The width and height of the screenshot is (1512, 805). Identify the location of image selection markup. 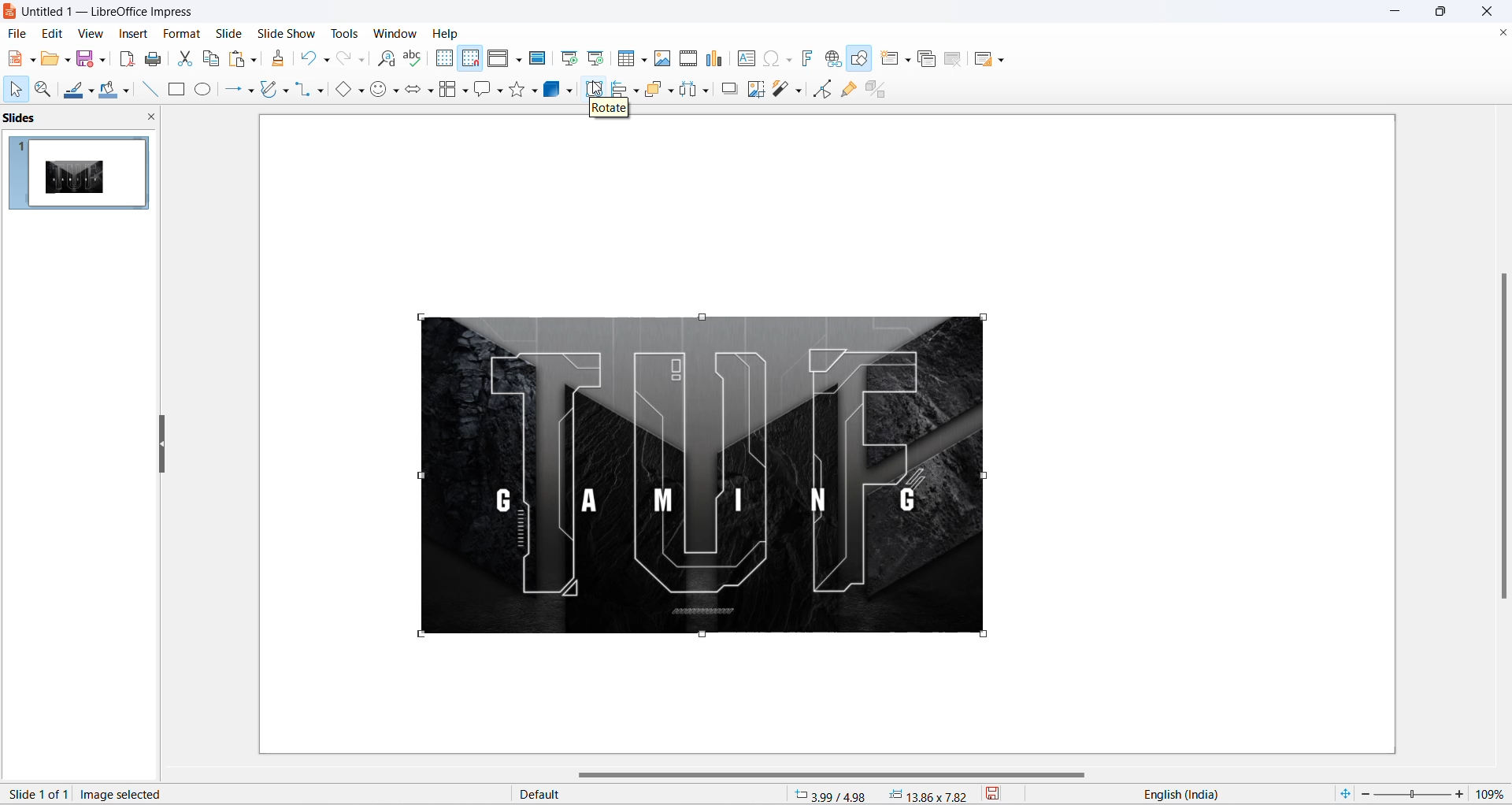
(420, 474).